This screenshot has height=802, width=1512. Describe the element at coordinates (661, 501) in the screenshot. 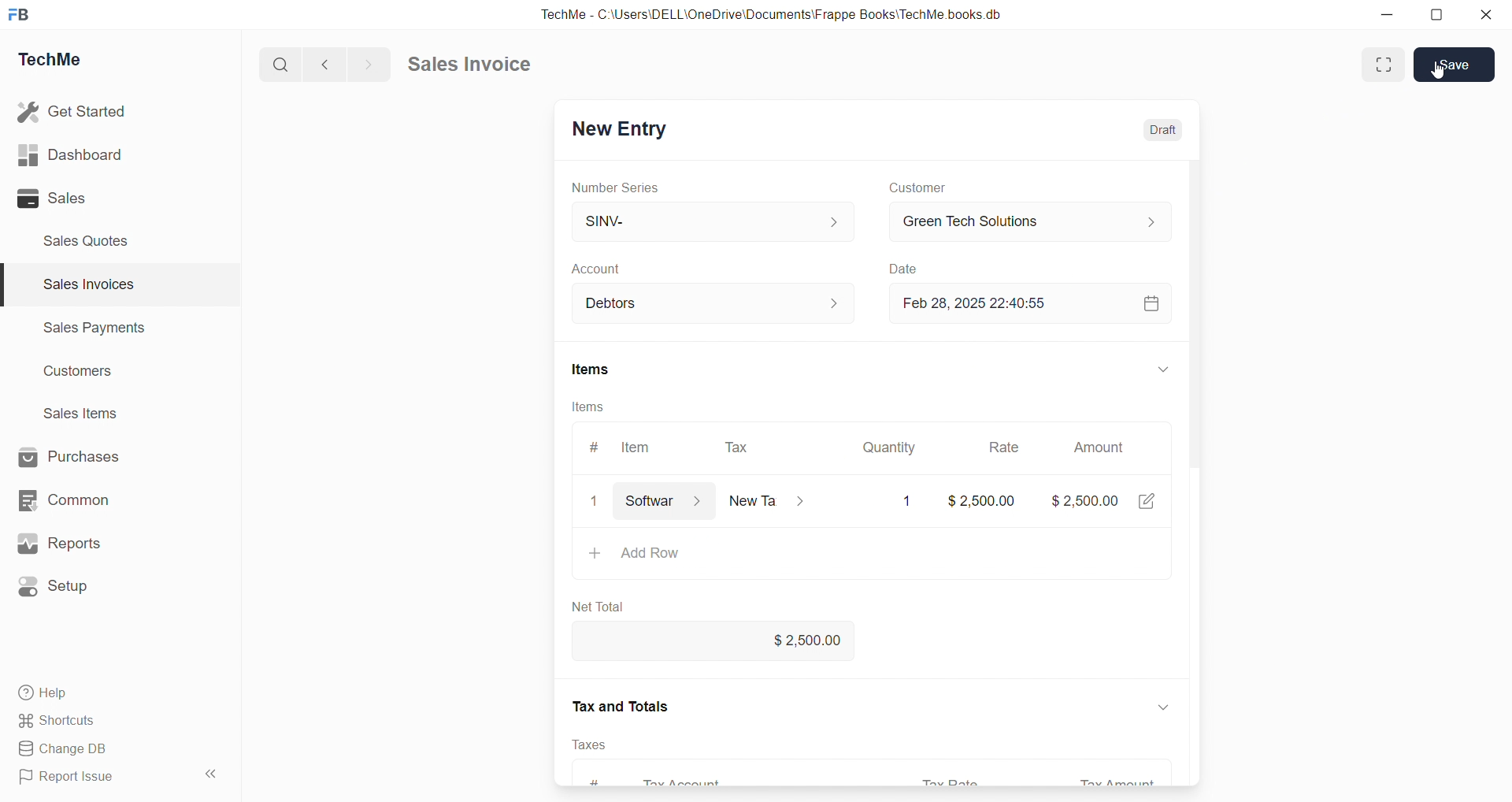

I see `Software` at that location.